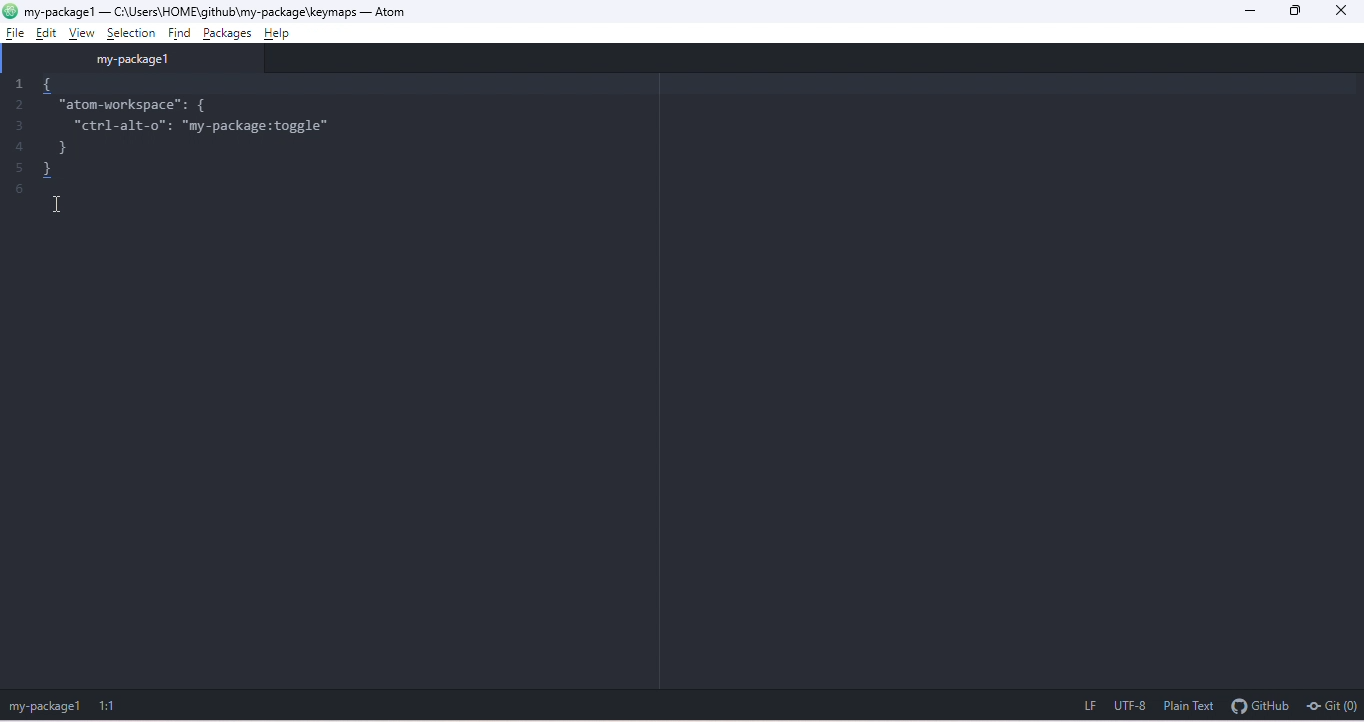  I want to click on plain text, so click(1193, 709).